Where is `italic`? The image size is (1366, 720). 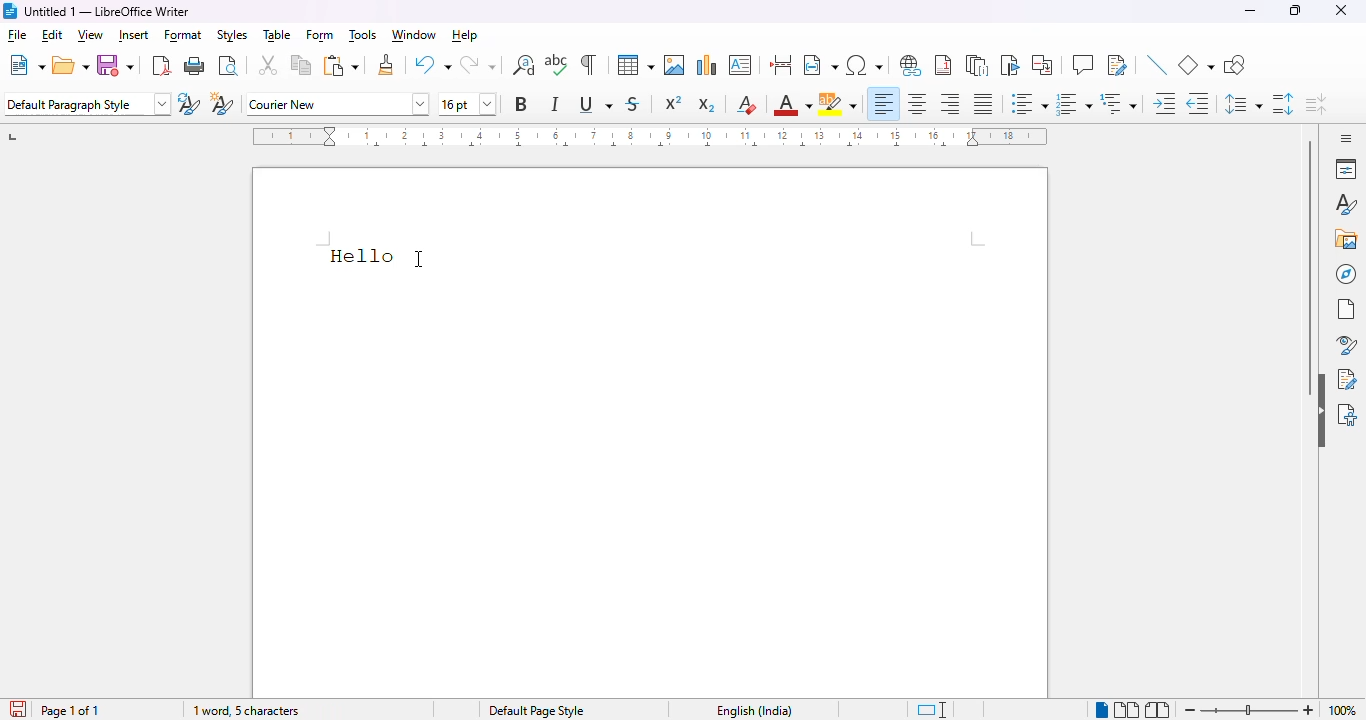 italic is located at coordinates (557, 103).